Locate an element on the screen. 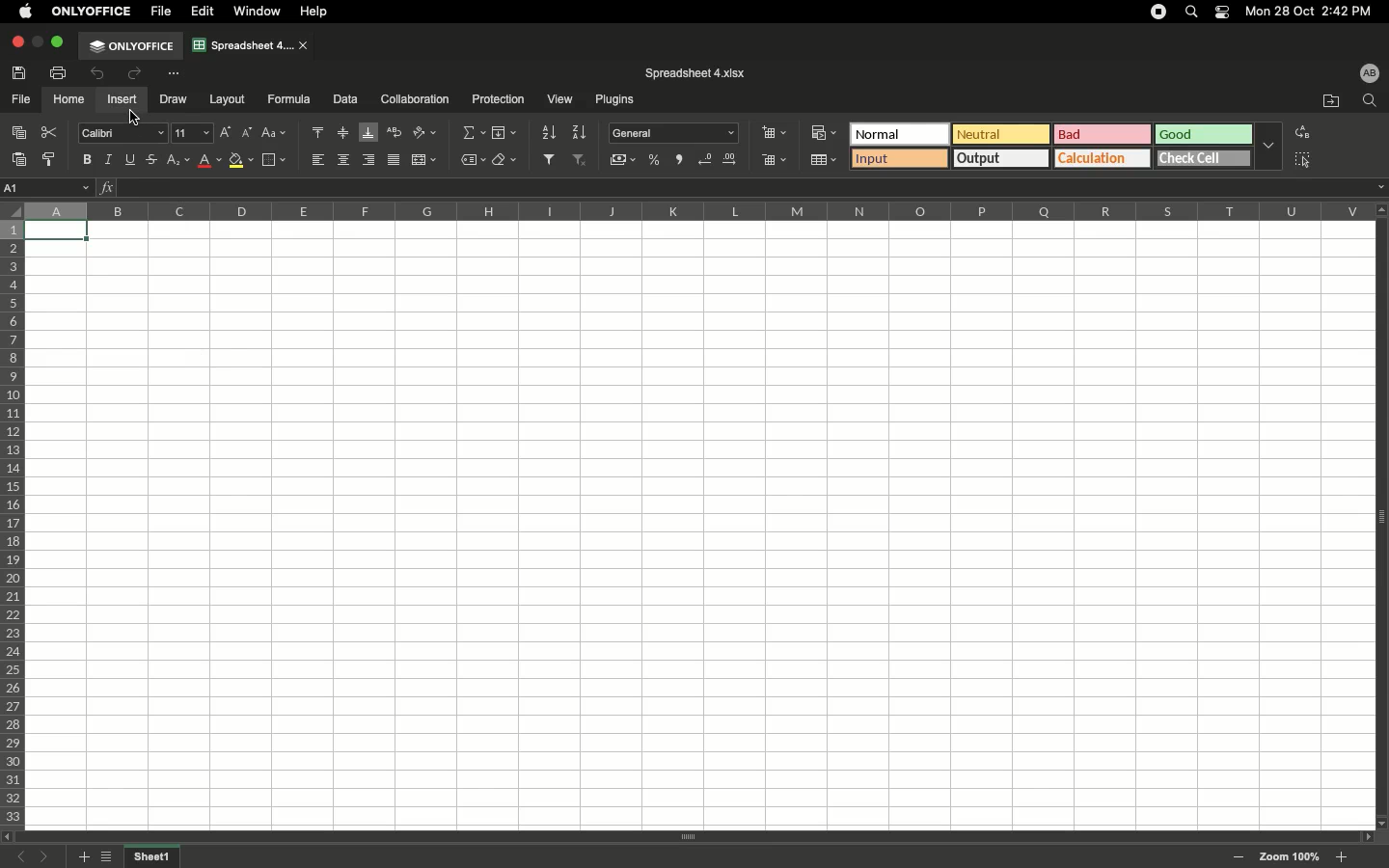  Summation is located at coordinates (472, 135).